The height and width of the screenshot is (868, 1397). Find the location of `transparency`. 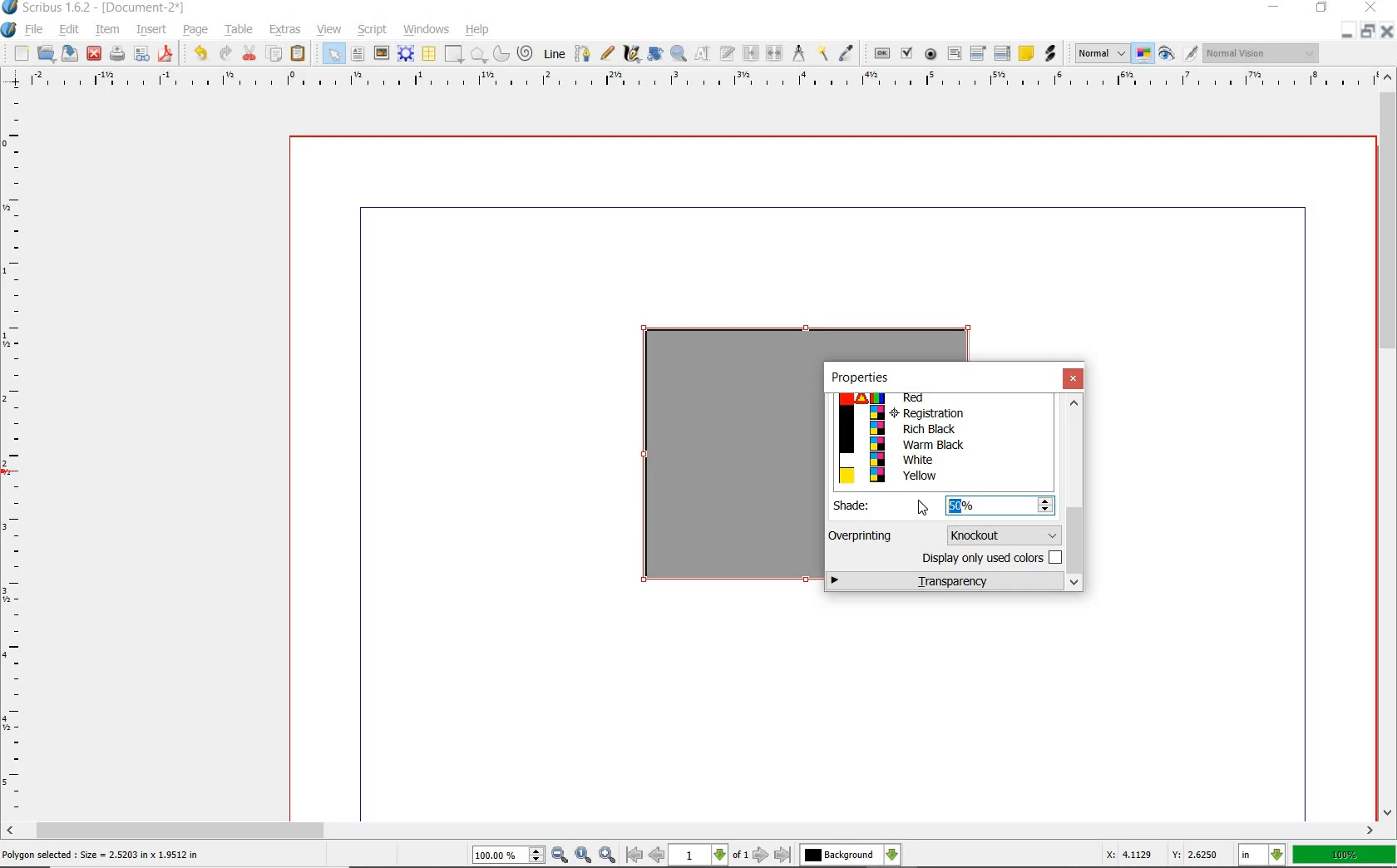

transparency is located at coordinates (945, 582).